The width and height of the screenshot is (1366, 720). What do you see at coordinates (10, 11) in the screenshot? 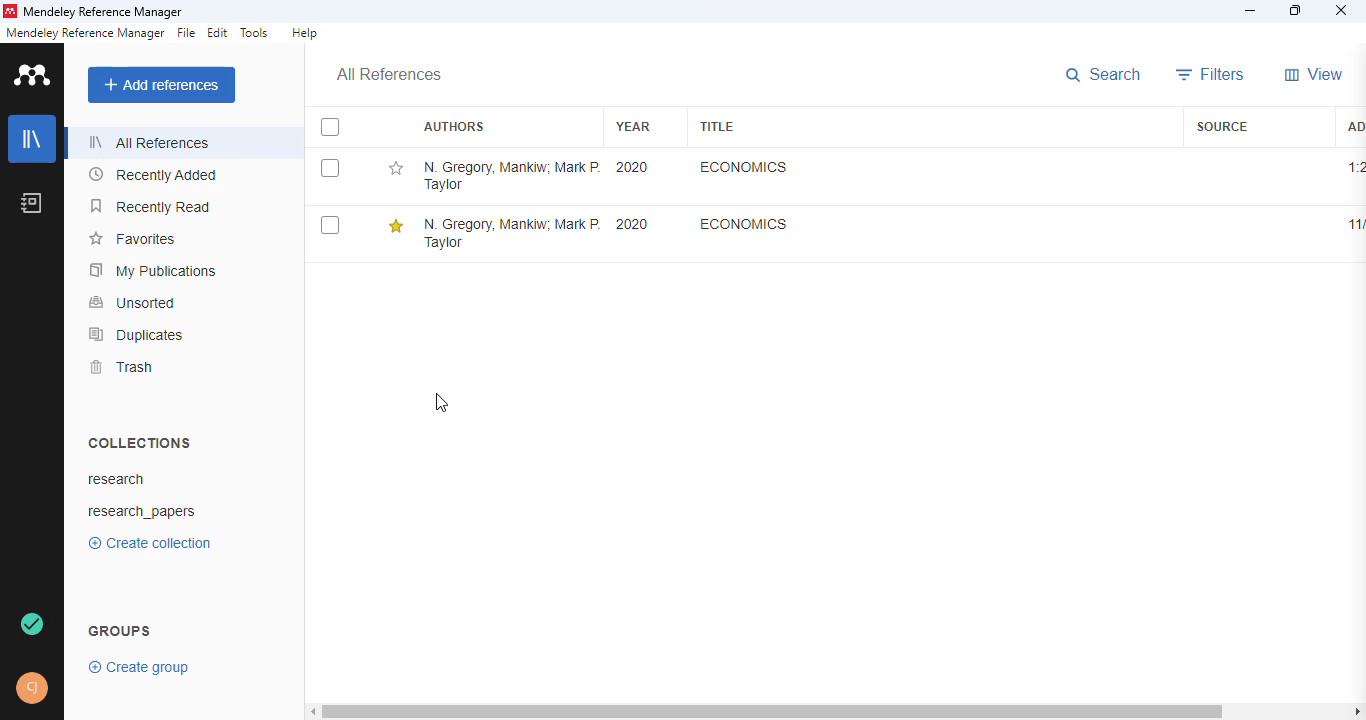
I see `logo` at bounding box center [10, 11].